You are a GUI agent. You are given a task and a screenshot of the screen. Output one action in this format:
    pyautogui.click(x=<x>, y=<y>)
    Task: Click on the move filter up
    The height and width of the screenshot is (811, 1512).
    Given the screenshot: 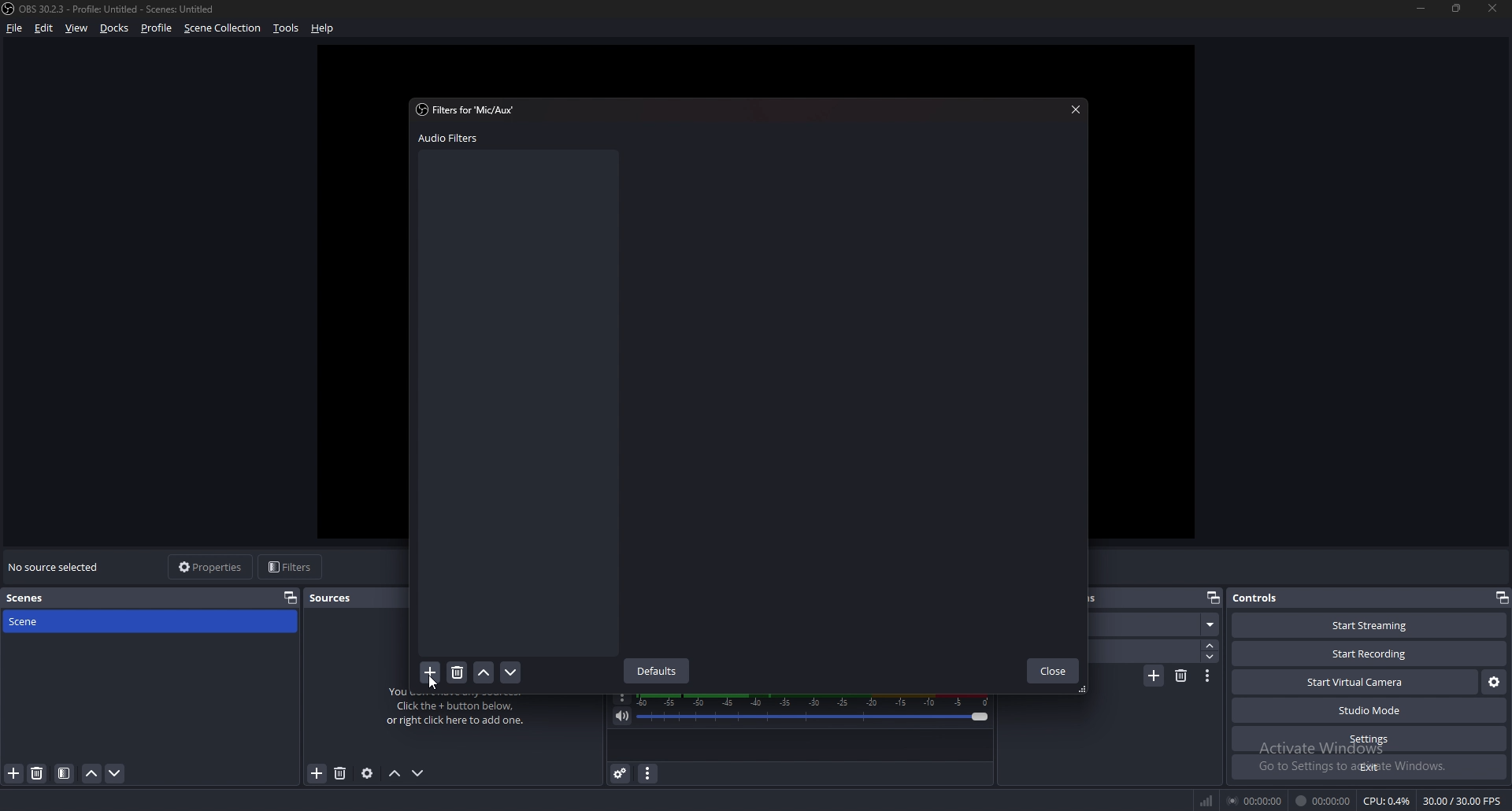 What is the action you would take?
    pyautogui.click(x=484, y=672)
    